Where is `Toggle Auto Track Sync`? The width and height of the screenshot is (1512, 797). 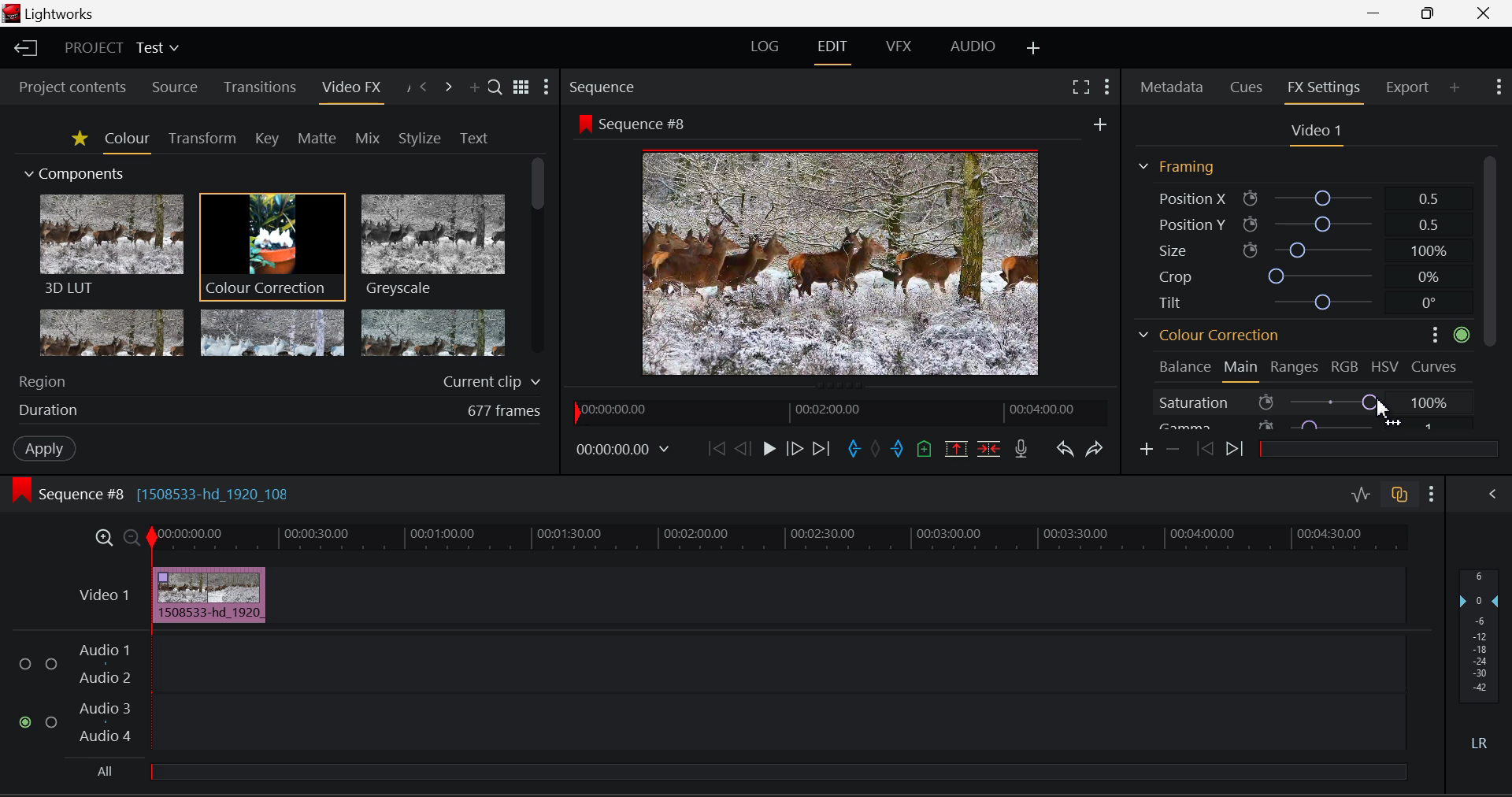
Toggle Auto Track Sync is located at coordinates (1399, 496).